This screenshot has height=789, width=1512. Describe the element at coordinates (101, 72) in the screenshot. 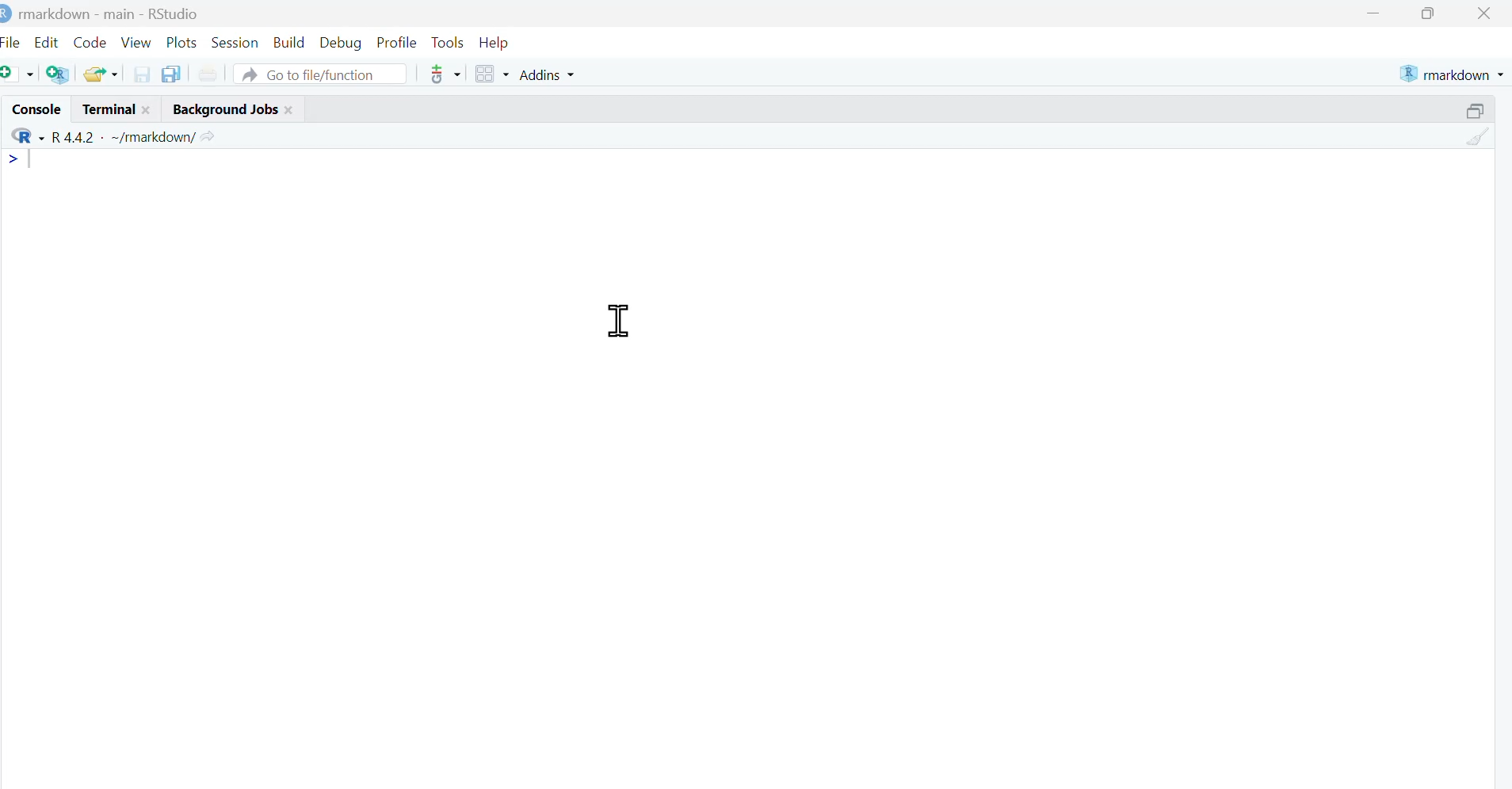

I see `open recent files` at that location.